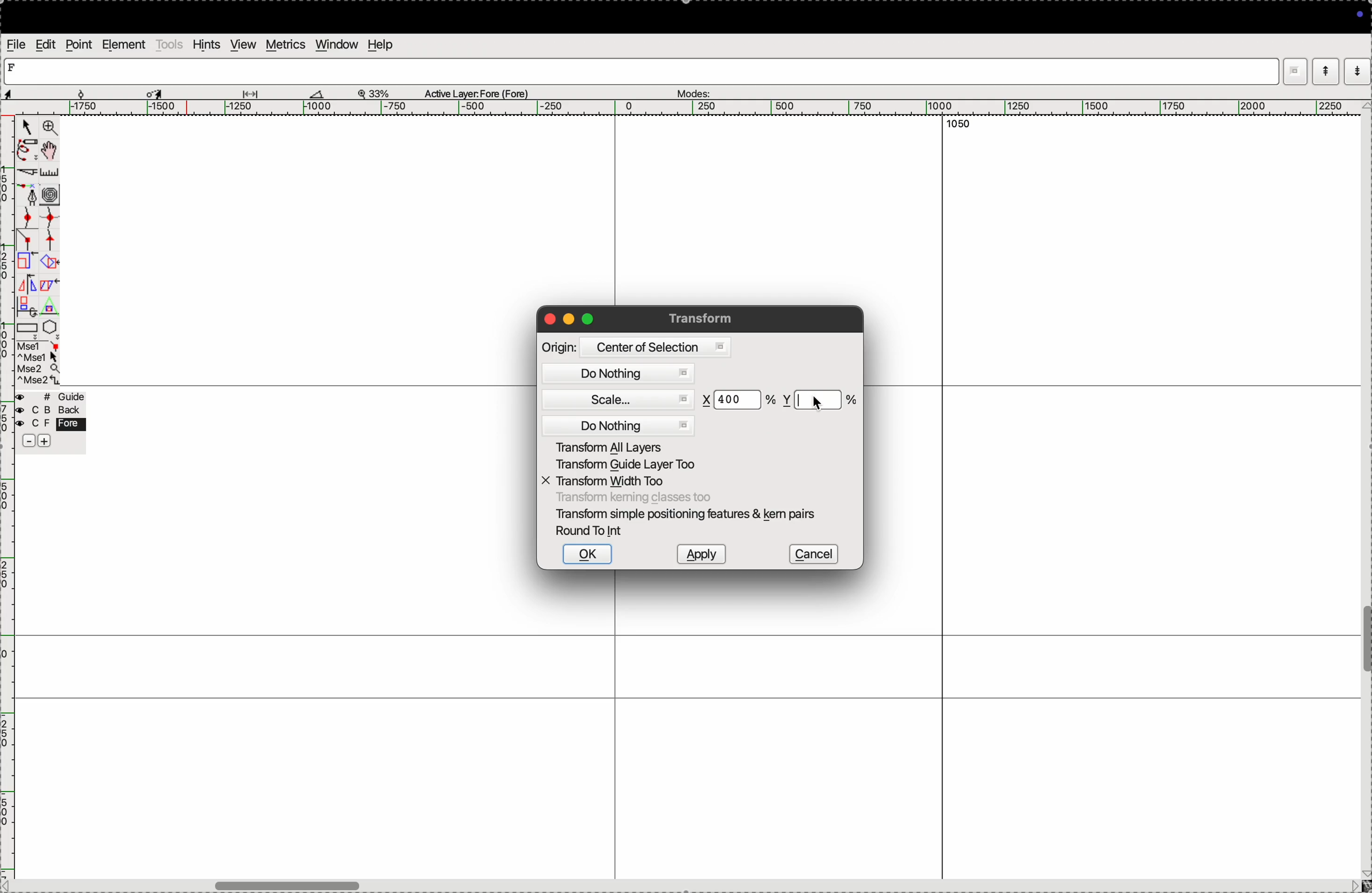 This screenshot has width=1372, height=893. Describe the element at coordinates (587, 318) in the screenshot. I see `maximize` at that location.